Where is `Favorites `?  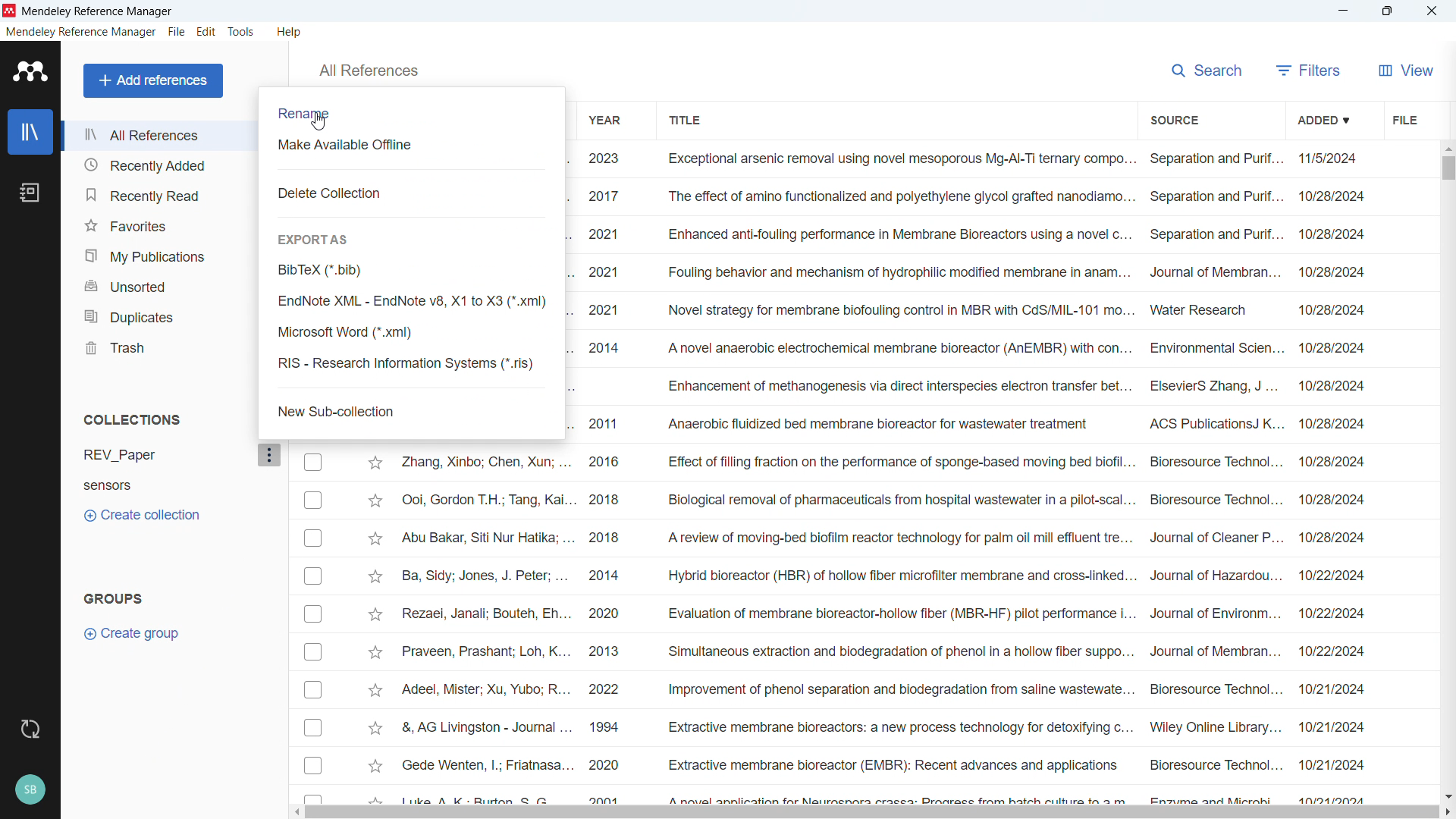
Favorites  is located at coordinates (158, 224).